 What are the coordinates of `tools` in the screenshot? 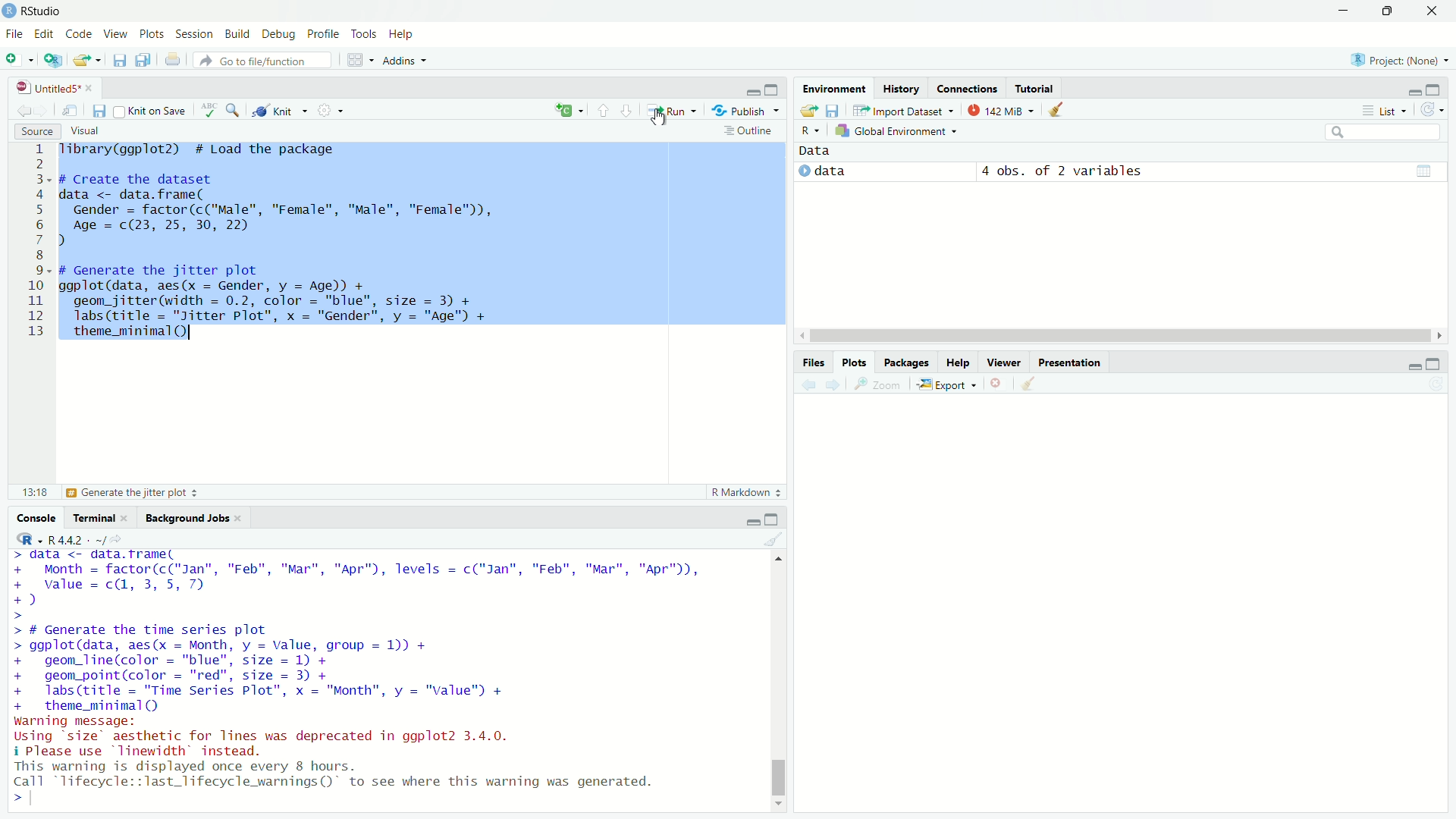 It's located at (366, 32).